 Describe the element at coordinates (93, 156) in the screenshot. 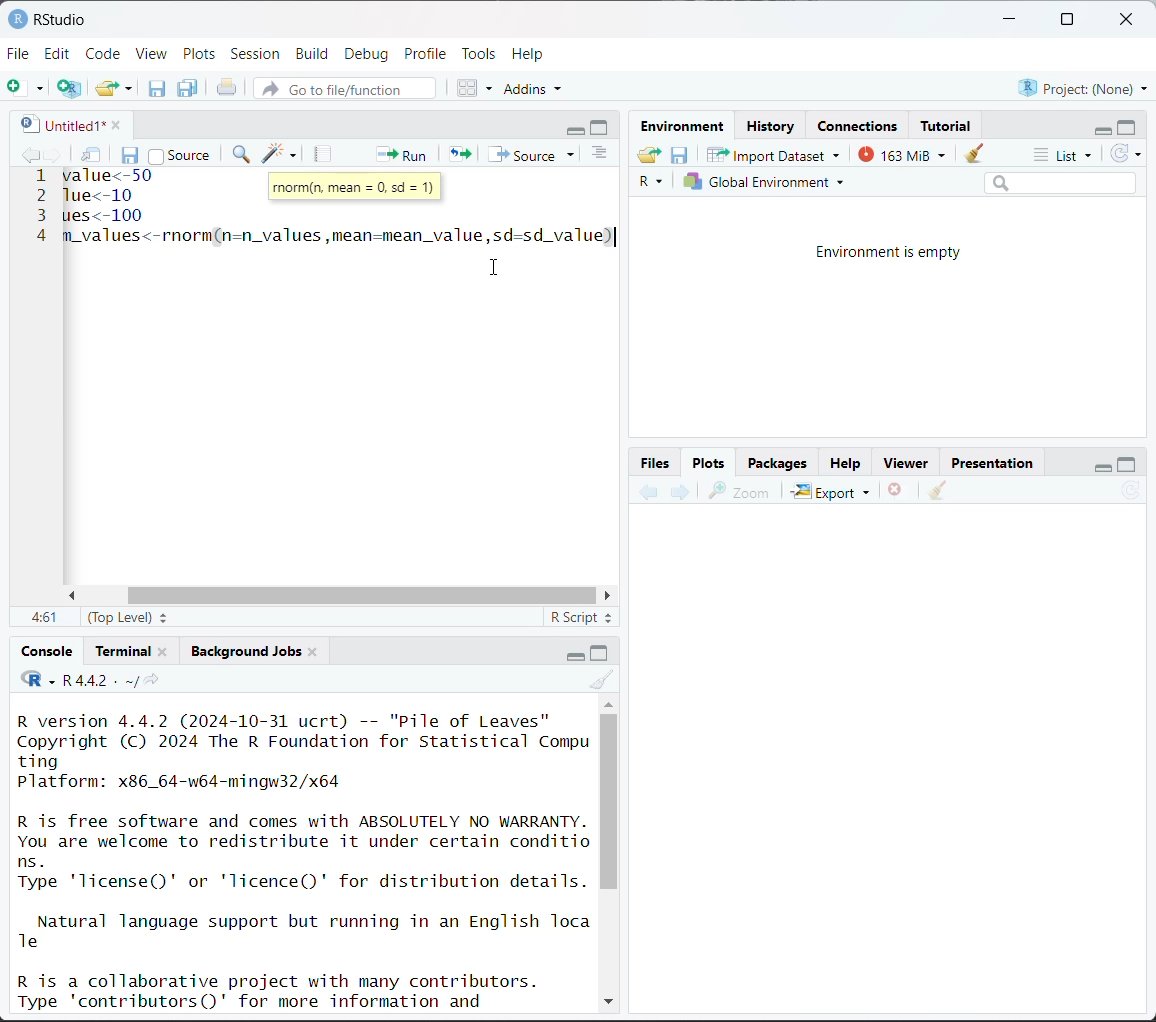

I see `show in new window` at that location.